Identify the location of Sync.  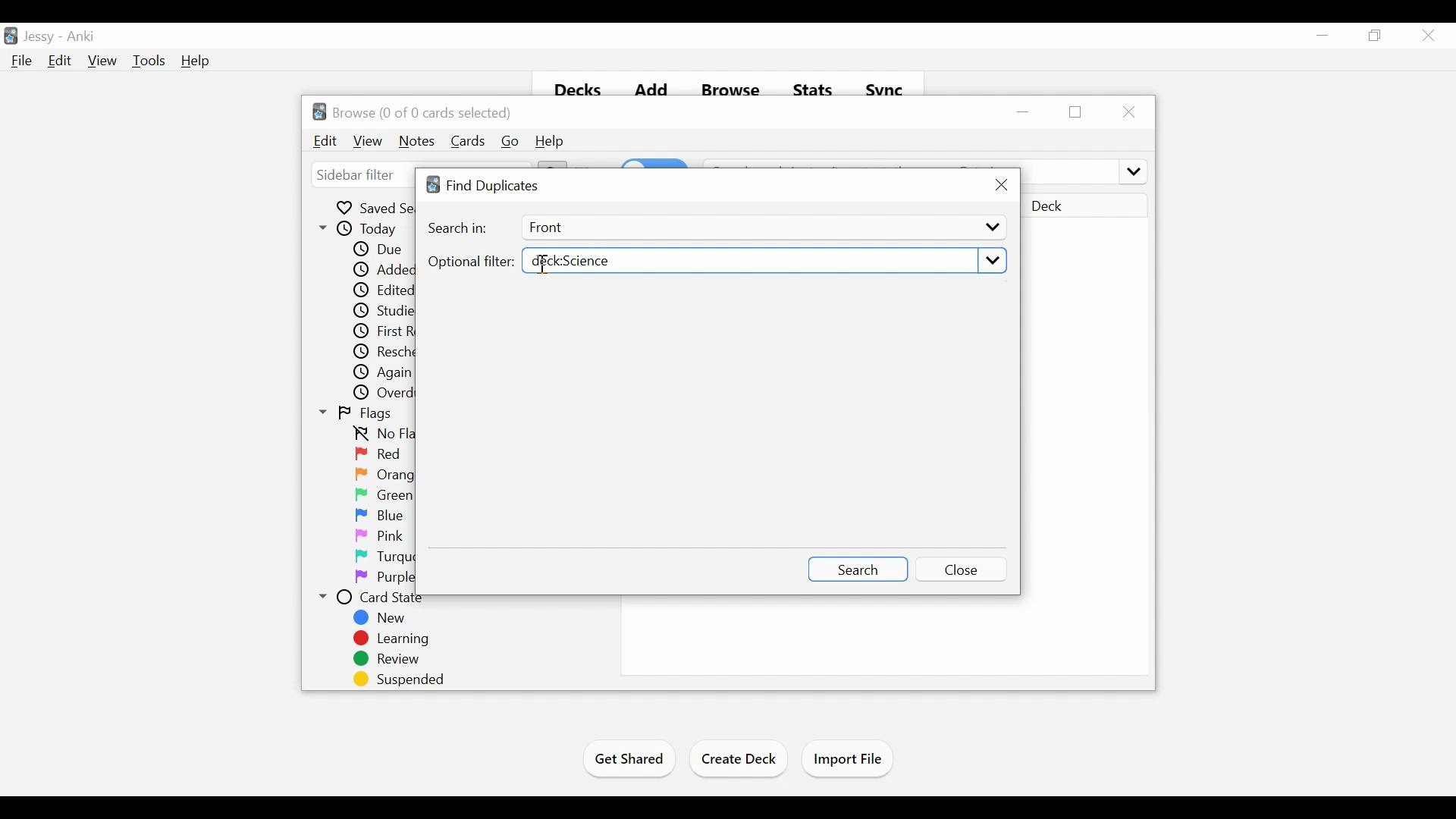
(886, 87).